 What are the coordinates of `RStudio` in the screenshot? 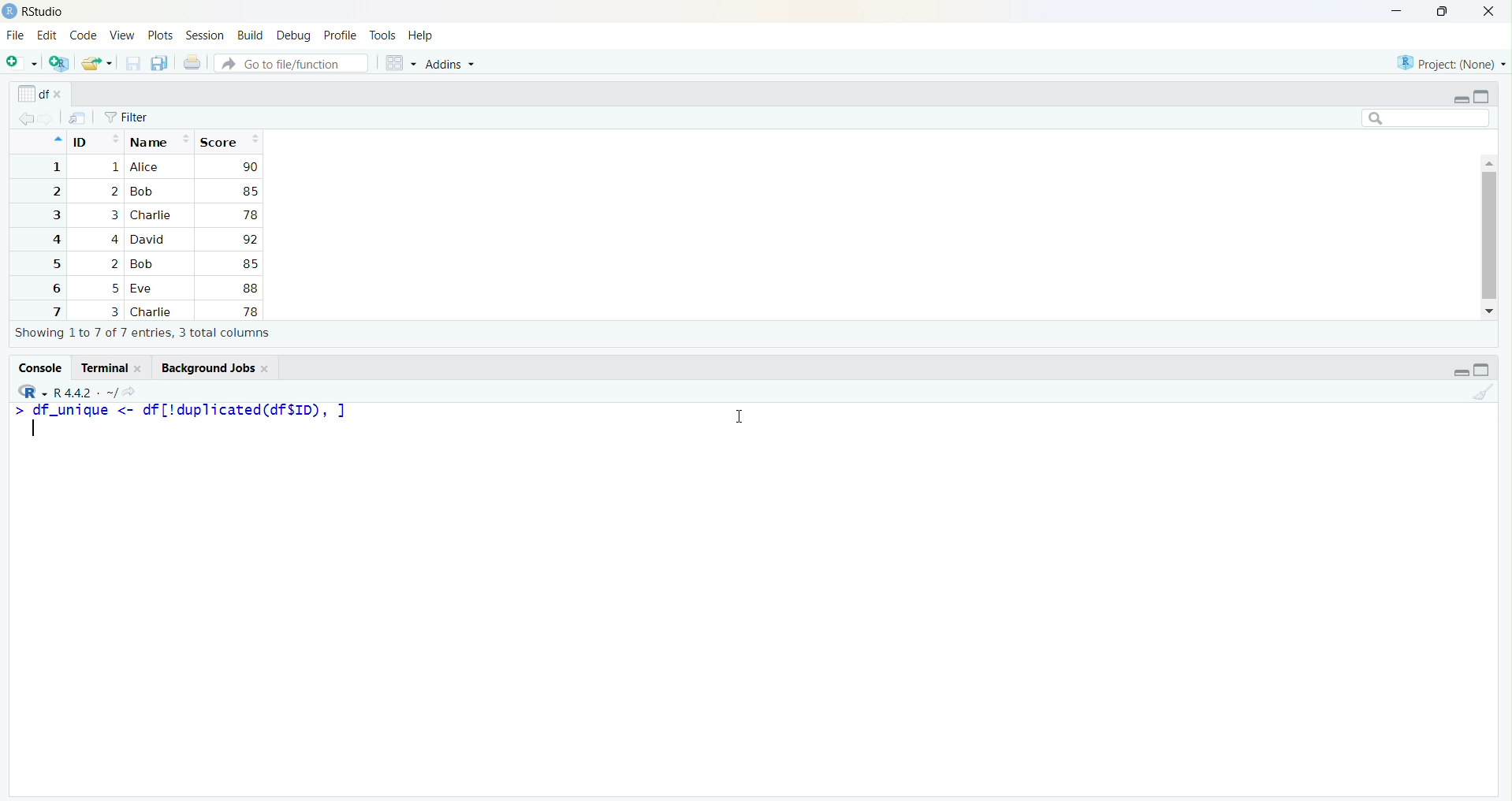 It's located at (44, 12).